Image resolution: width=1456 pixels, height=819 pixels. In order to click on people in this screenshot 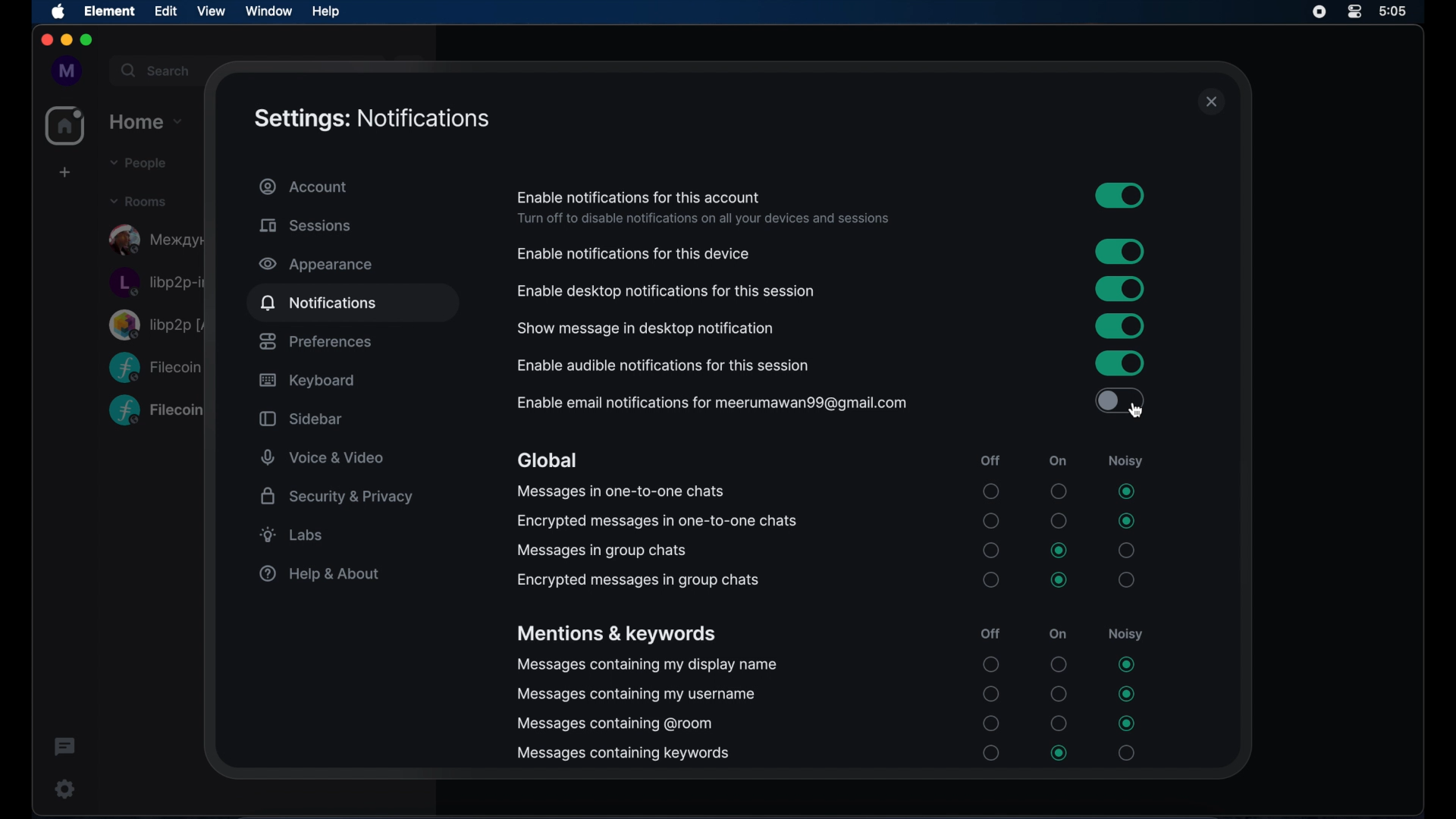, I will do `click(136, 163)`.